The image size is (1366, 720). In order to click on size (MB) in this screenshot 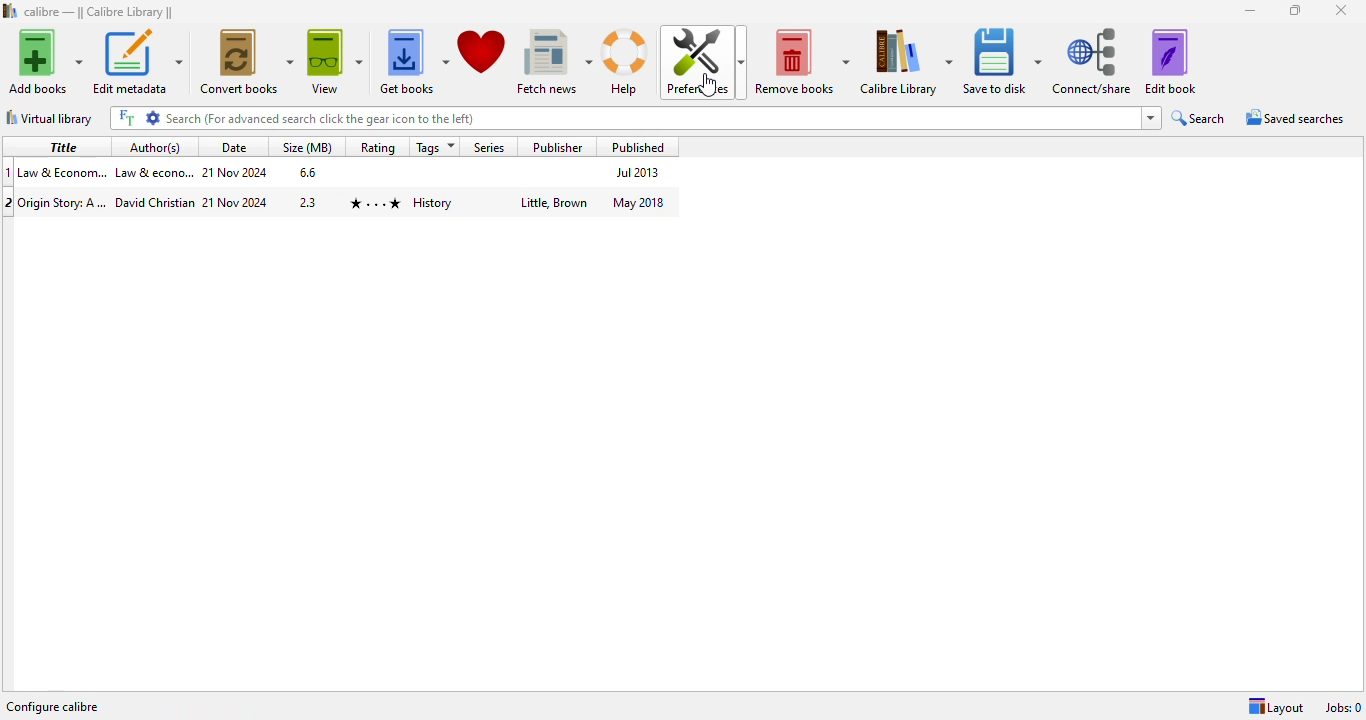, I will do `click(306, 147)`.